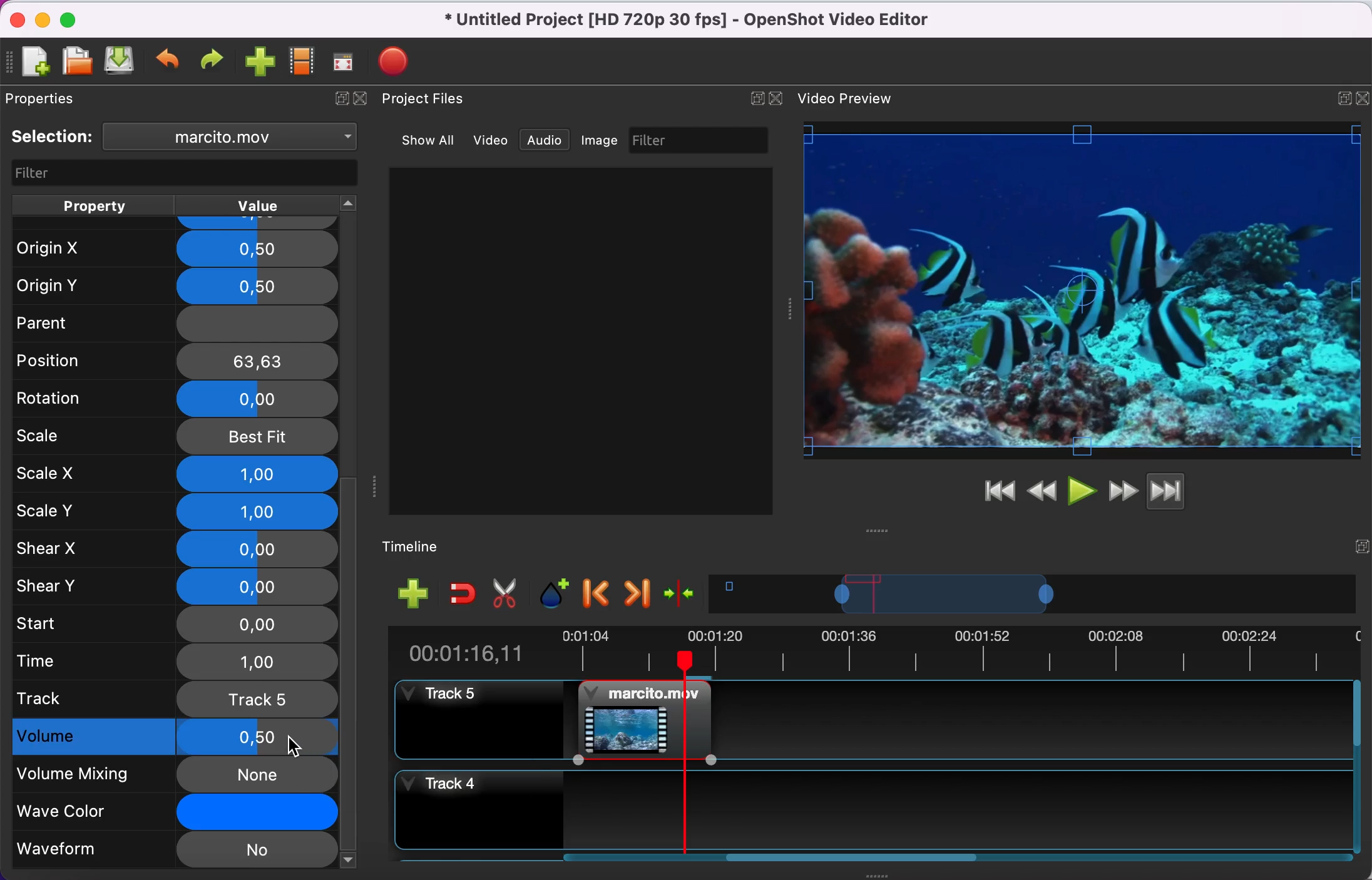 The width and height of the screenshot is (1372, 880). I want to click on track 5, so click(174, 698).